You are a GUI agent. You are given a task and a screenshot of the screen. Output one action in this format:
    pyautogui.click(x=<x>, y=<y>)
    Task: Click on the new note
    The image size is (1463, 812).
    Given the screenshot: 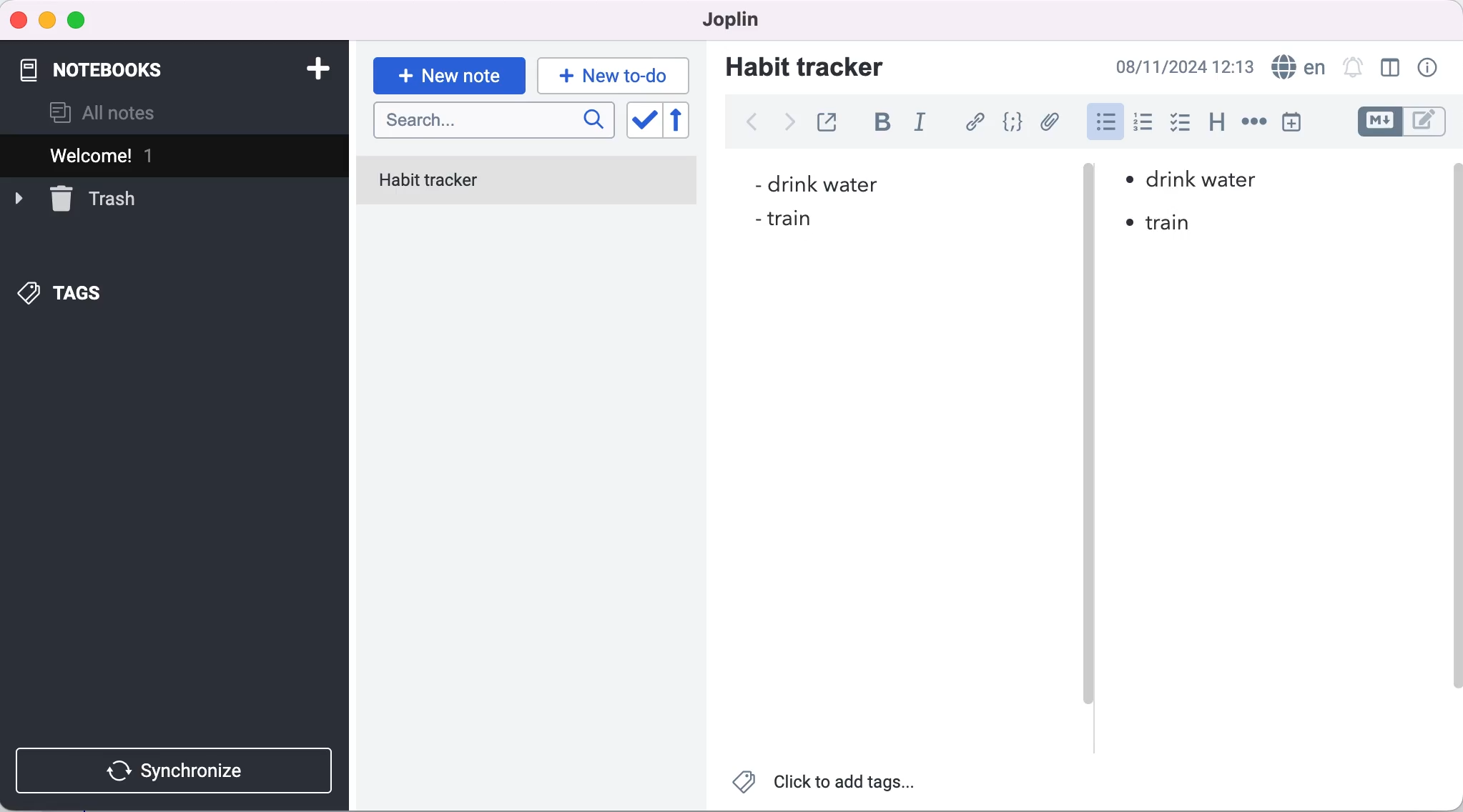 What is the action you would take?
    pyautogui.click(x=448, y=76)
    